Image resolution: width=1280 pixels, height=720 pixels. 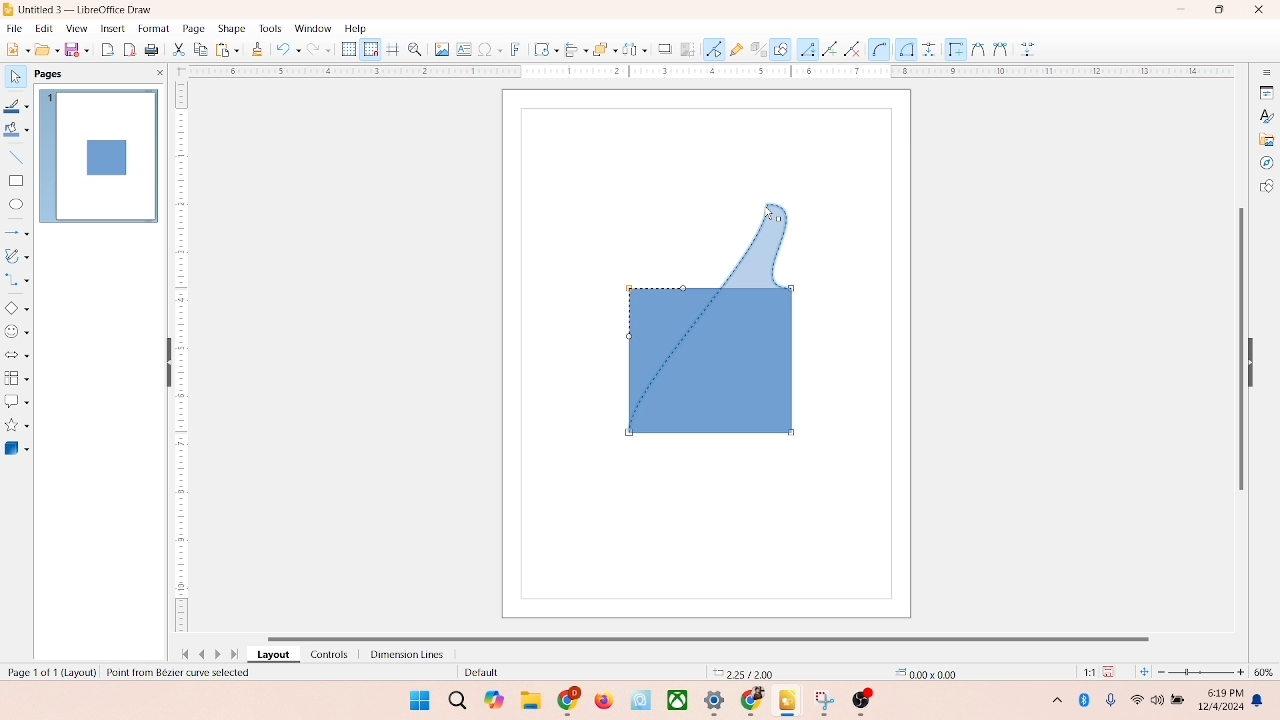 I want to click on default, so click(x=465, y=673).